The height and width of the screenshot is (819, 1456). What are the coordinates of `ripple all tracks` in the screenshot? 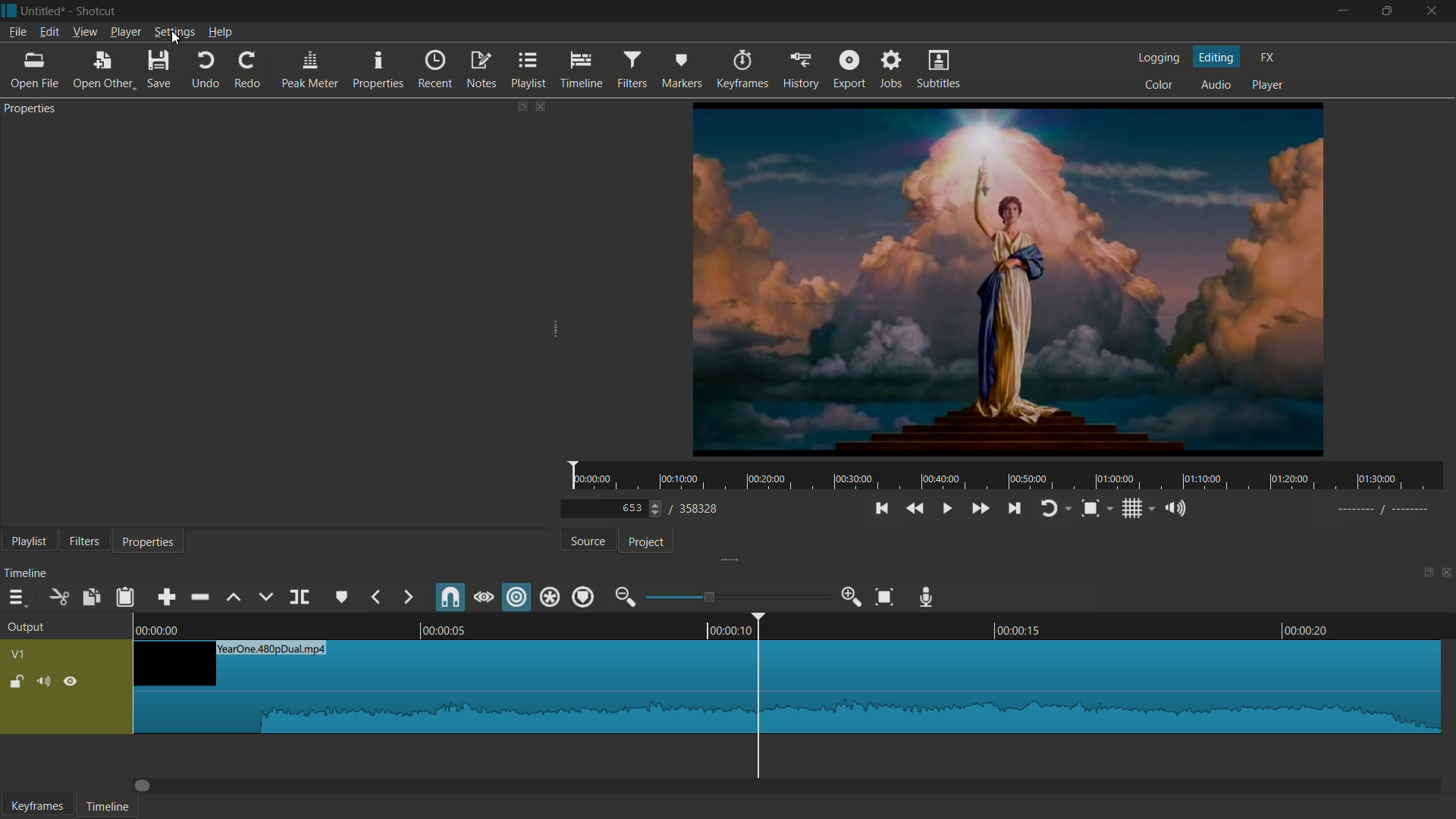 It's located at (549, 598).